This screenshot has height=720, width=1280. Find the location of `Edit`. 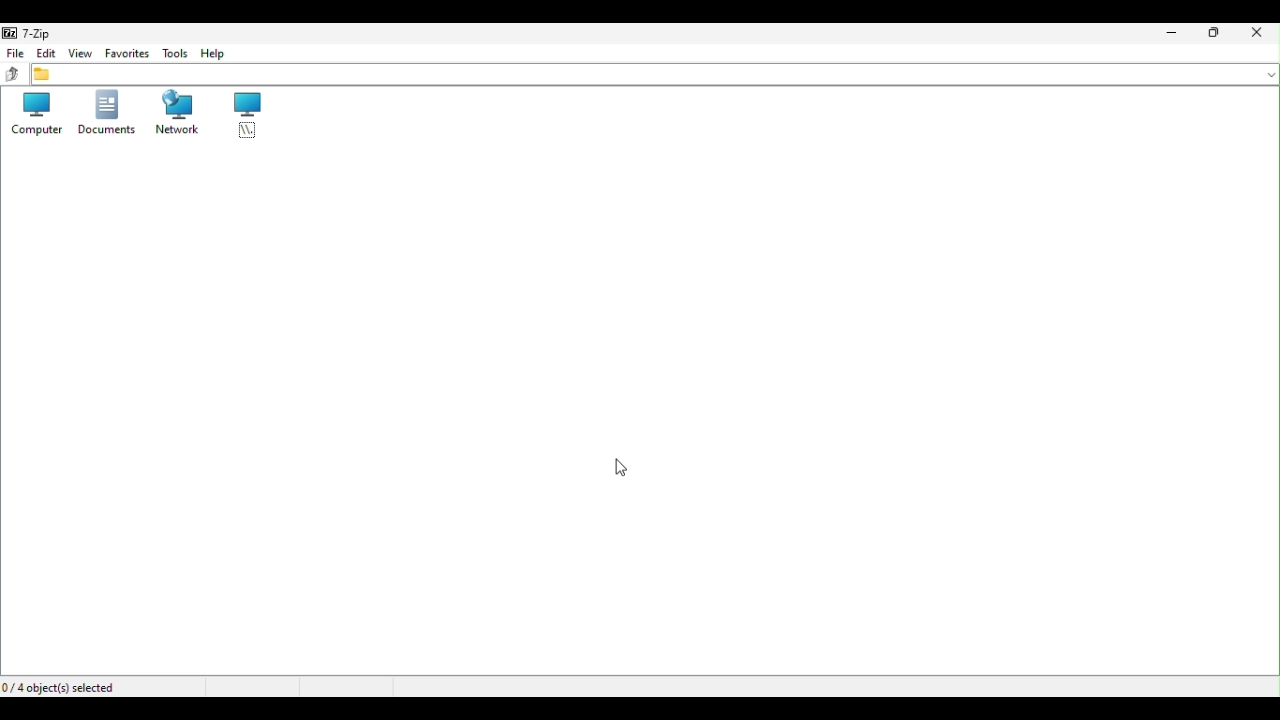

Edit is located at coordinates (45, 51).